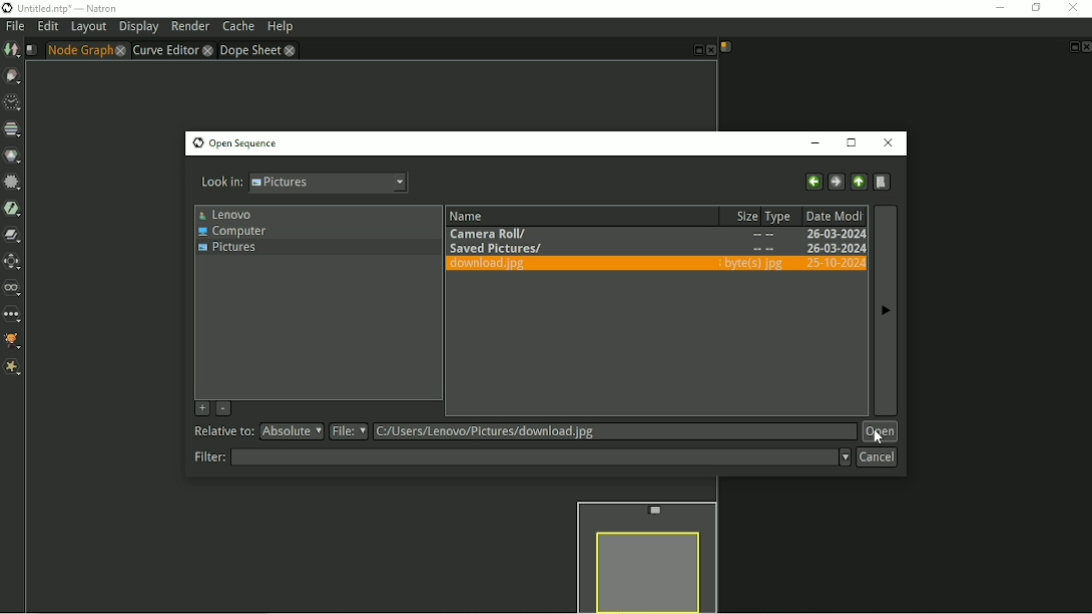  I want to click on Cursor, so click(874, 437).